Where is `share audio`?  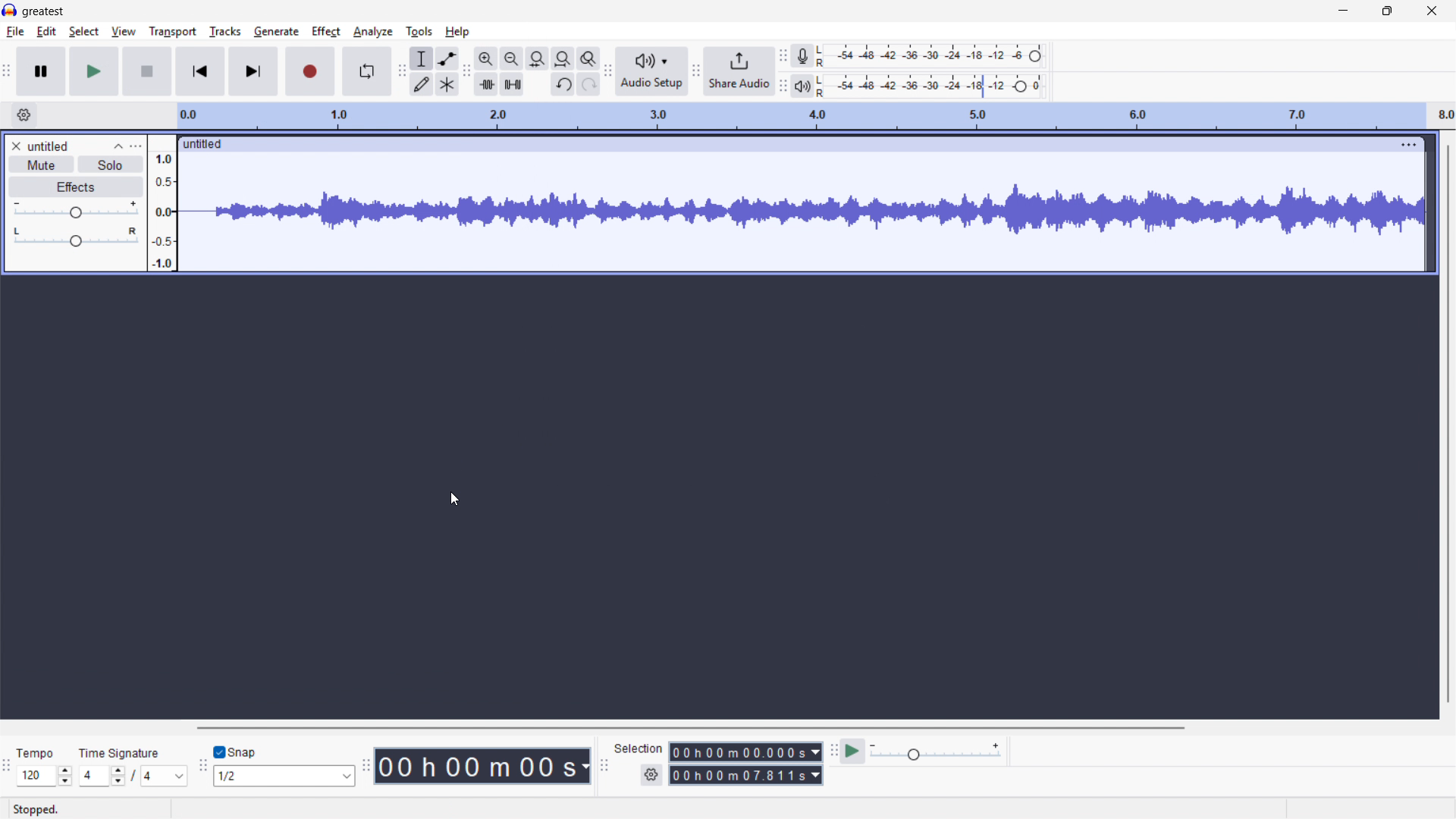 share audio is located at coordinates (739, 72).